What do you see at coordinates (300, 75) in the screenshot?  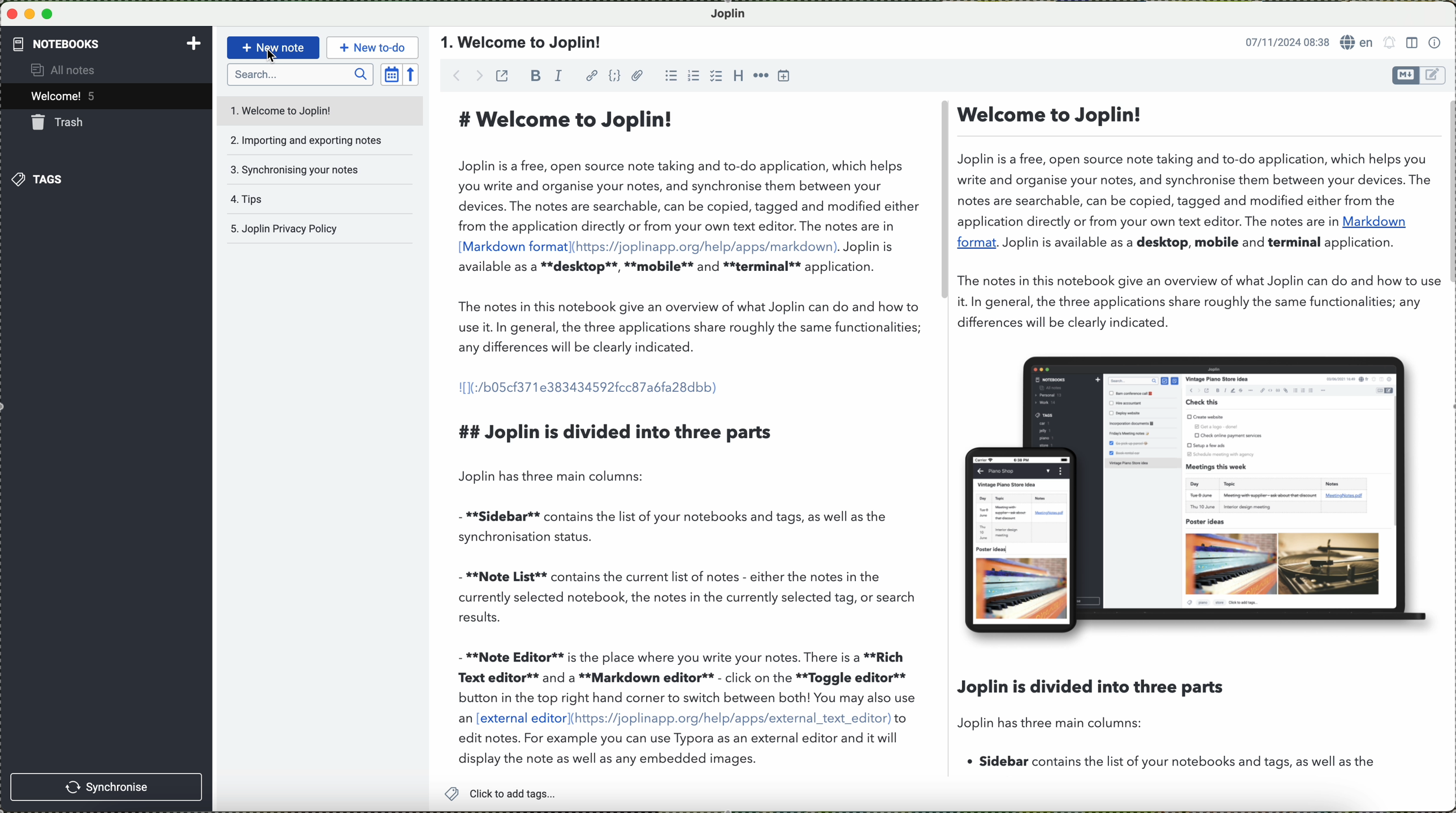 I see `search bar` at bounding box center [300, 75].